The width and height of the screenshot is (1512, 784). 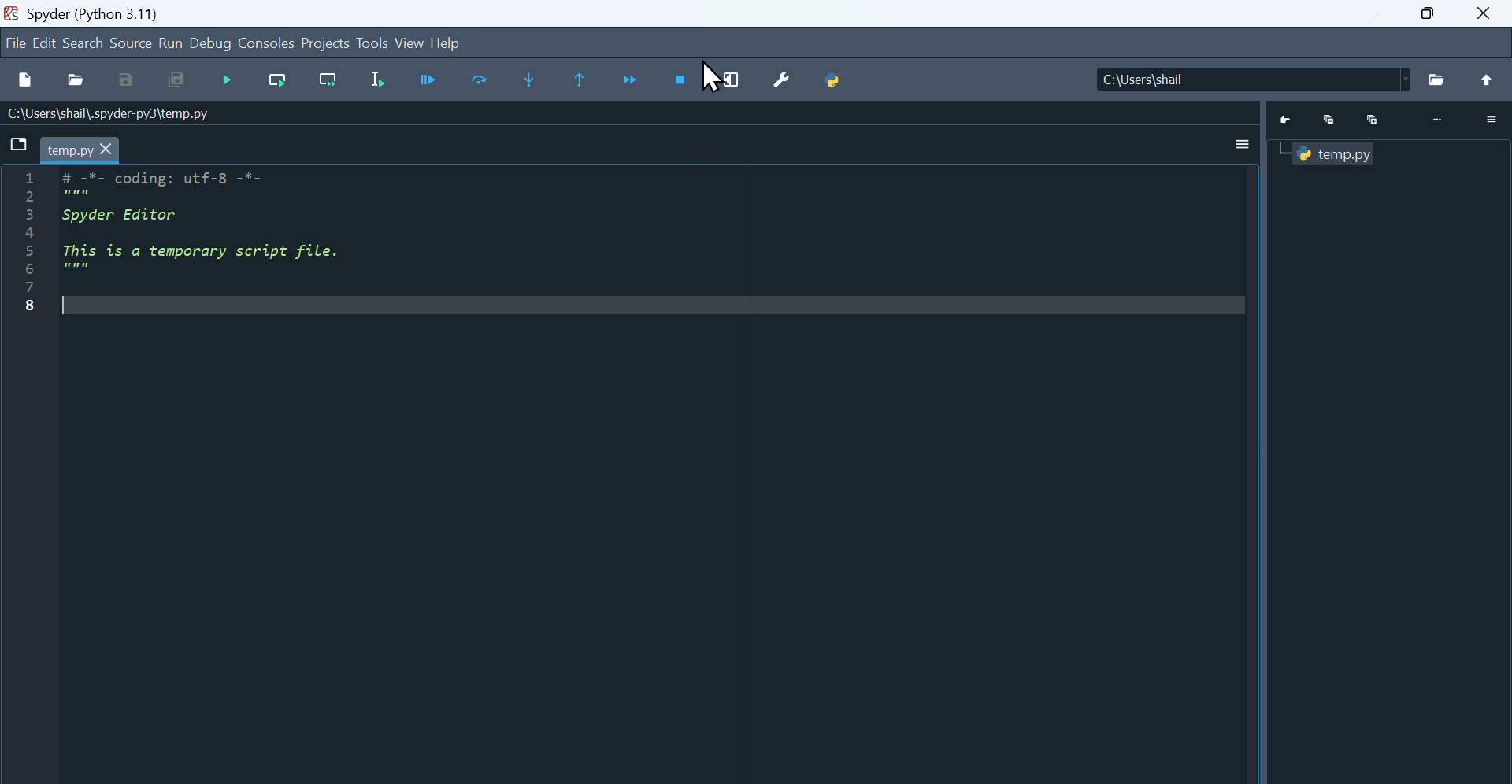 I want to click on Run selection, so click(x=380, y=80).